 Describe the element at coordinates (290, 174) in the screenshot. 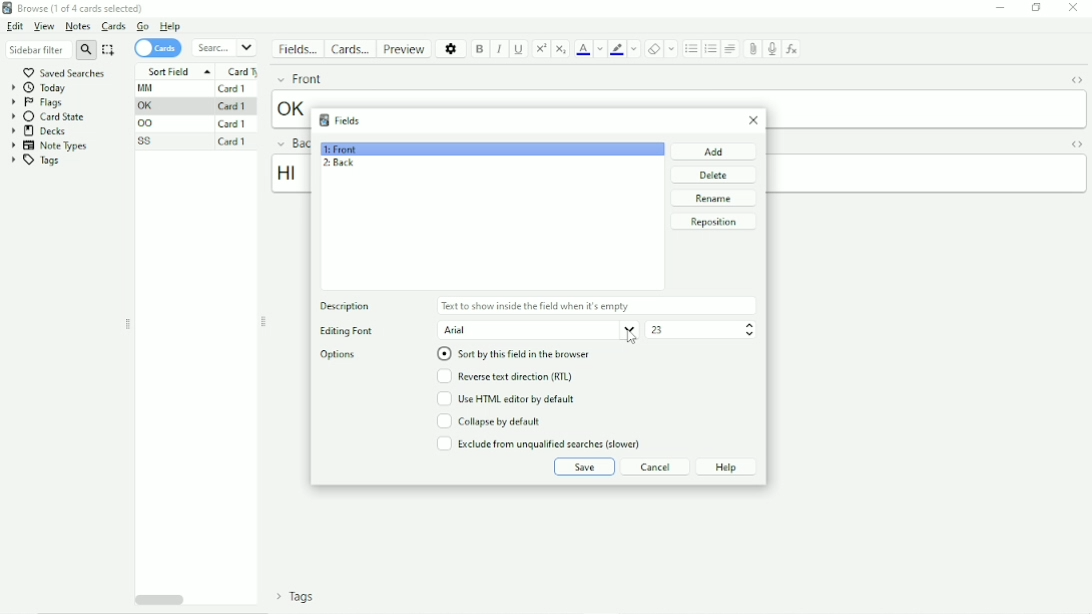

I see `hi` at that location.